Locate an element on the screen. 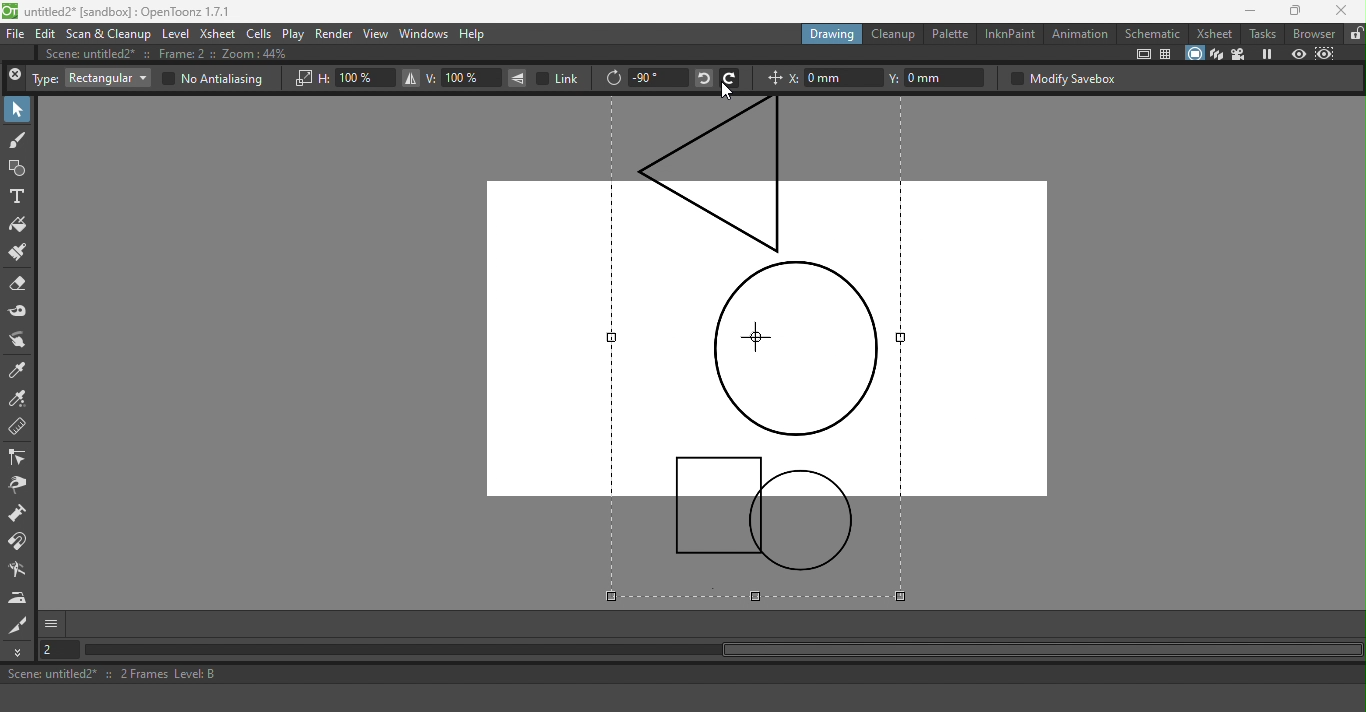 The height and width of the screenshot is (712, 1366). InknPaint is located at coordinates (1009, 33).